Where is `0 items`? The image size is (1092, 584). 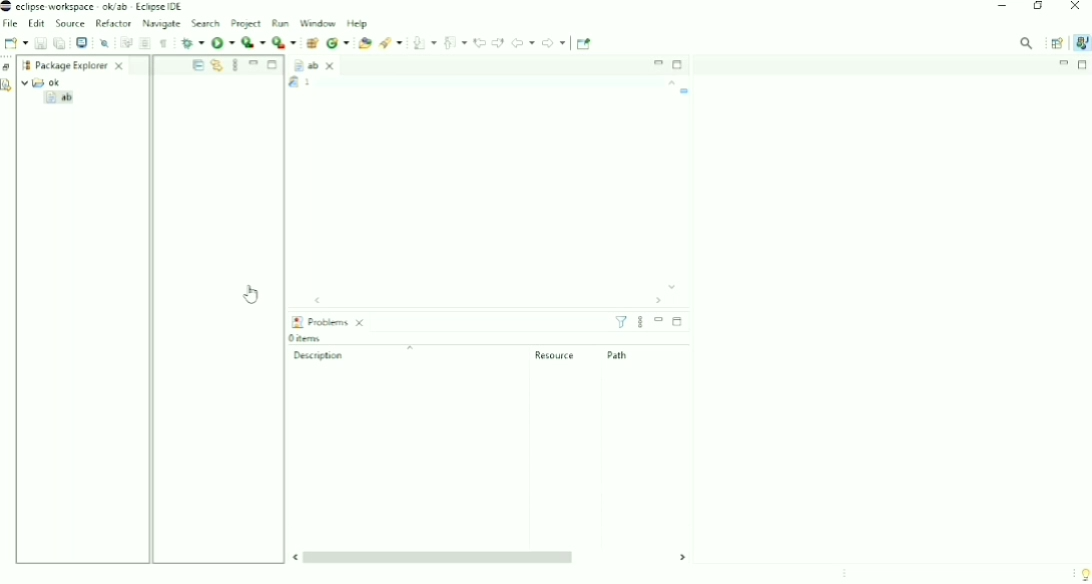 0 items is located at coordinates (310, 338).